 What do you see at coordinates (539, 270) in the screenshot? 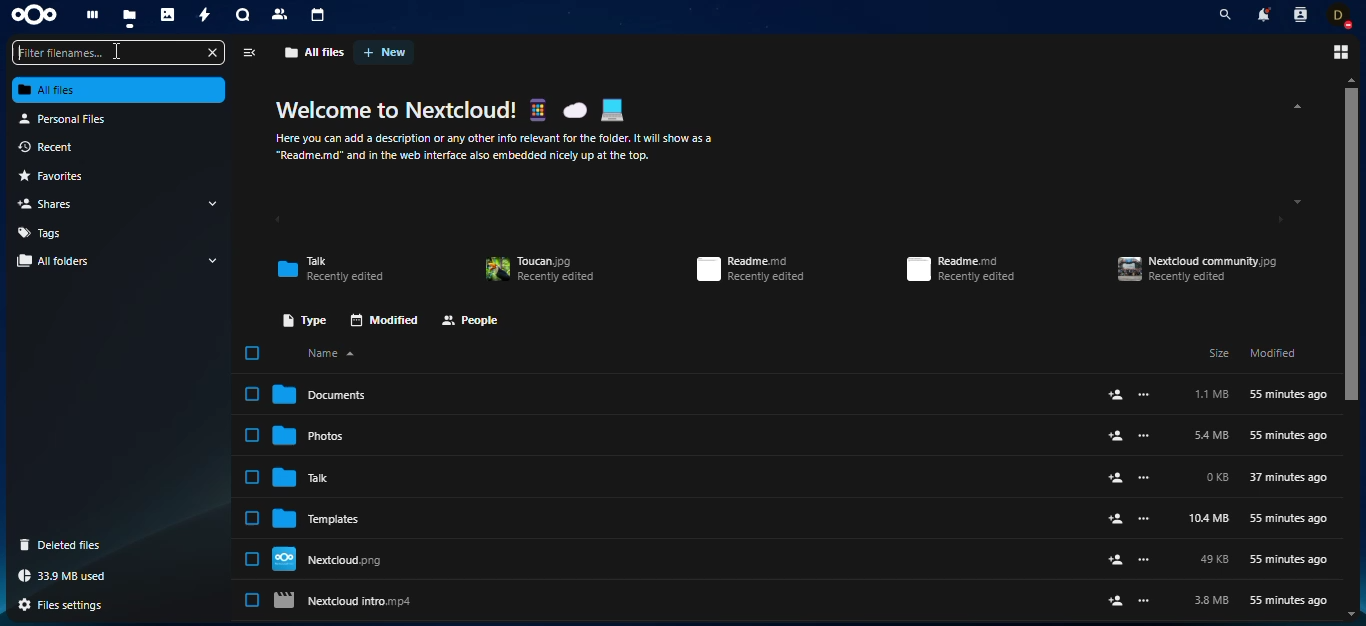
I see `Toucan.jpg Recently edited` at bounding box center [539, 270].